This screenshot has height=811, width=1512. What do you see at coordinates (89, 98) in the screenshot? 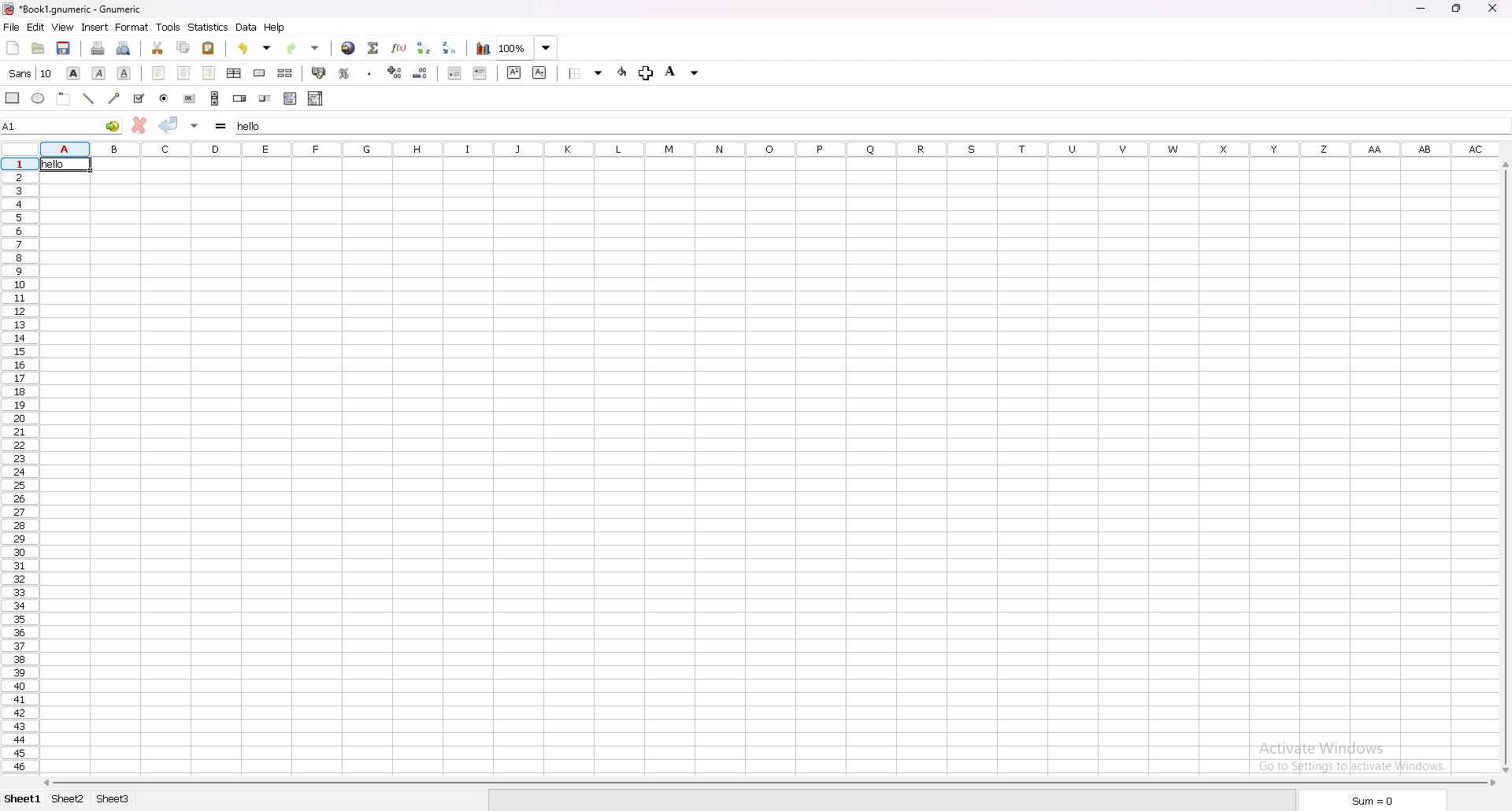
I see `line` at bounding box center [89, 98].